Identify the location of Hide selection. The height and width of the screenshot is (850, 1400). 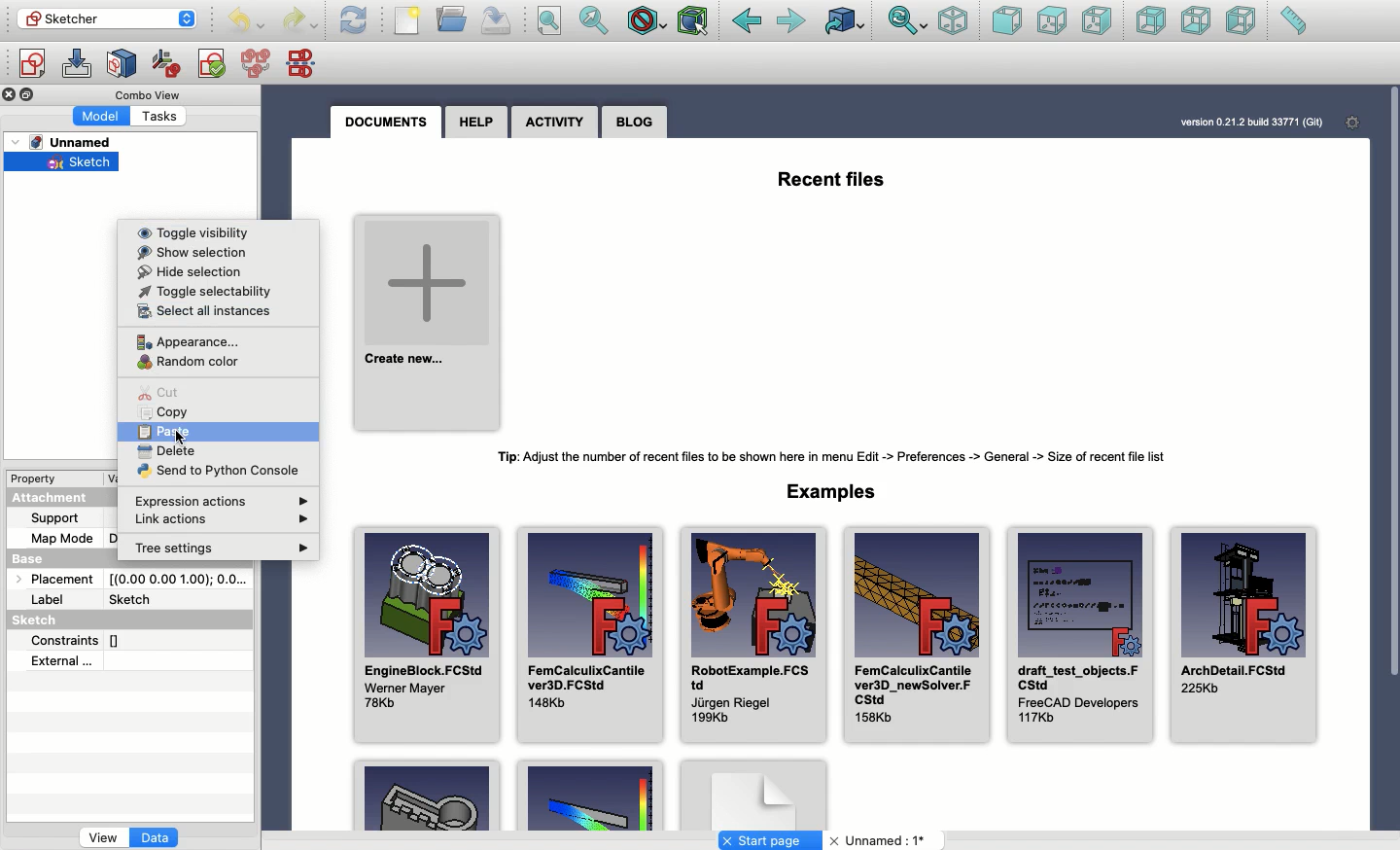
(186, 269).